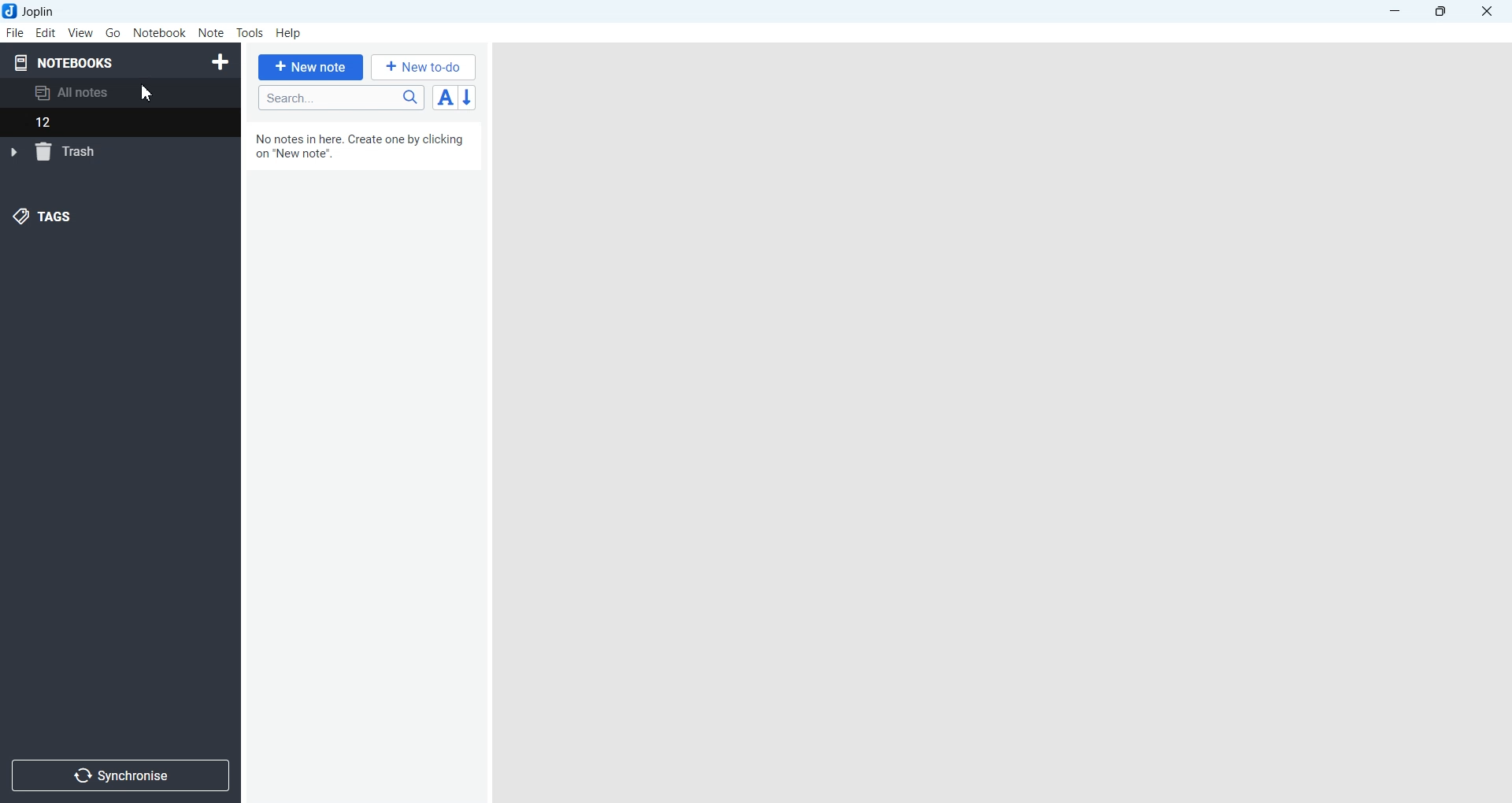 The width and height of the screenshot is (1512, 803). Describe the element at coordinates (355, 146) in the screenshot. I see `no notes in here. create one by clicking on "new notes".` at that location.